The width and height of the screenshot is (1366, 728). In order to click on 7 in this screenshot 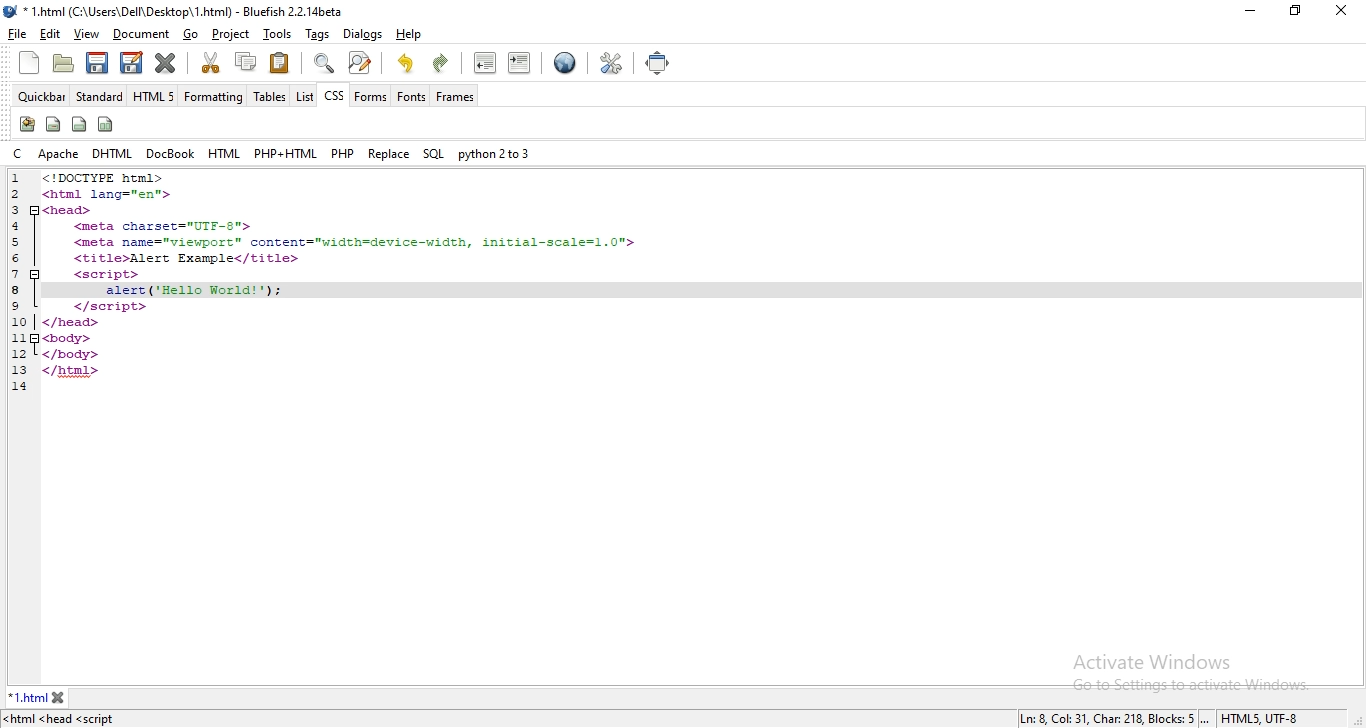, I will do `click(12, 274)`.